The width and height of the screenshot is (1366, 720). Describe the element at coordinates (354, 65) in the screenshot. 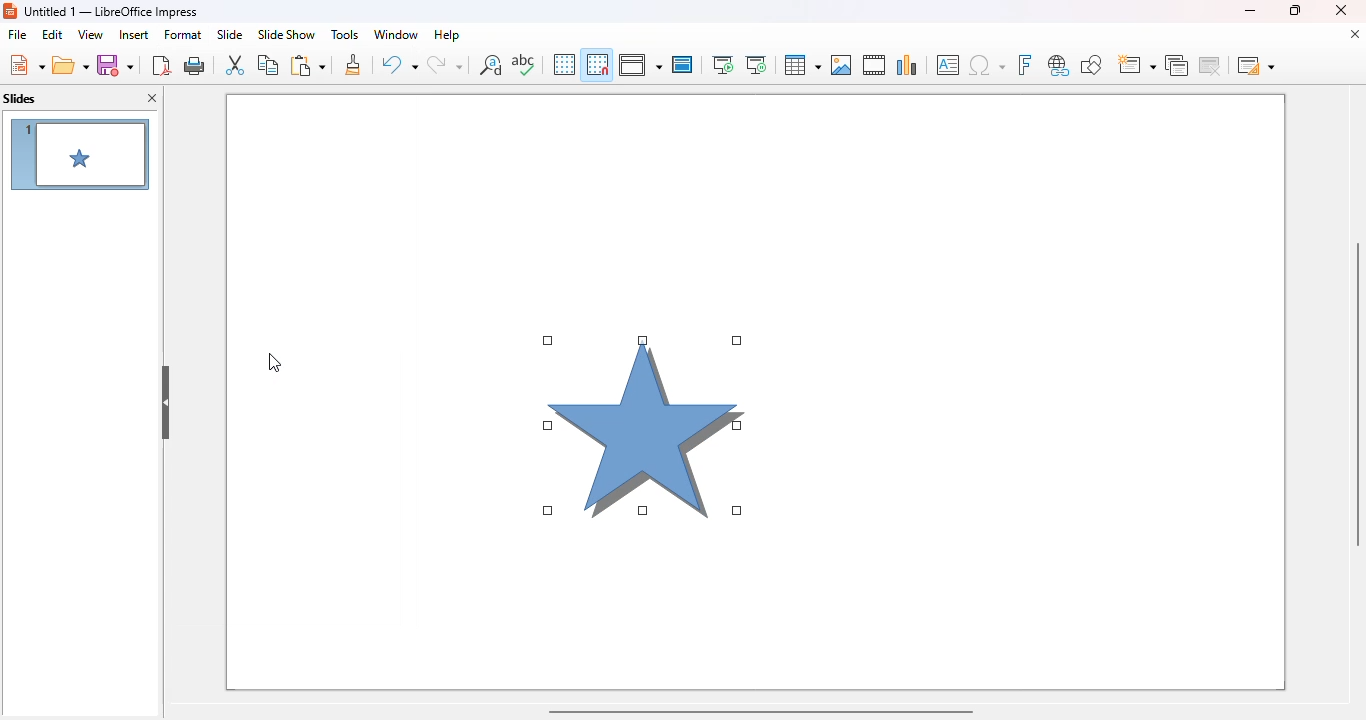

I see `clone formatting` at that location.